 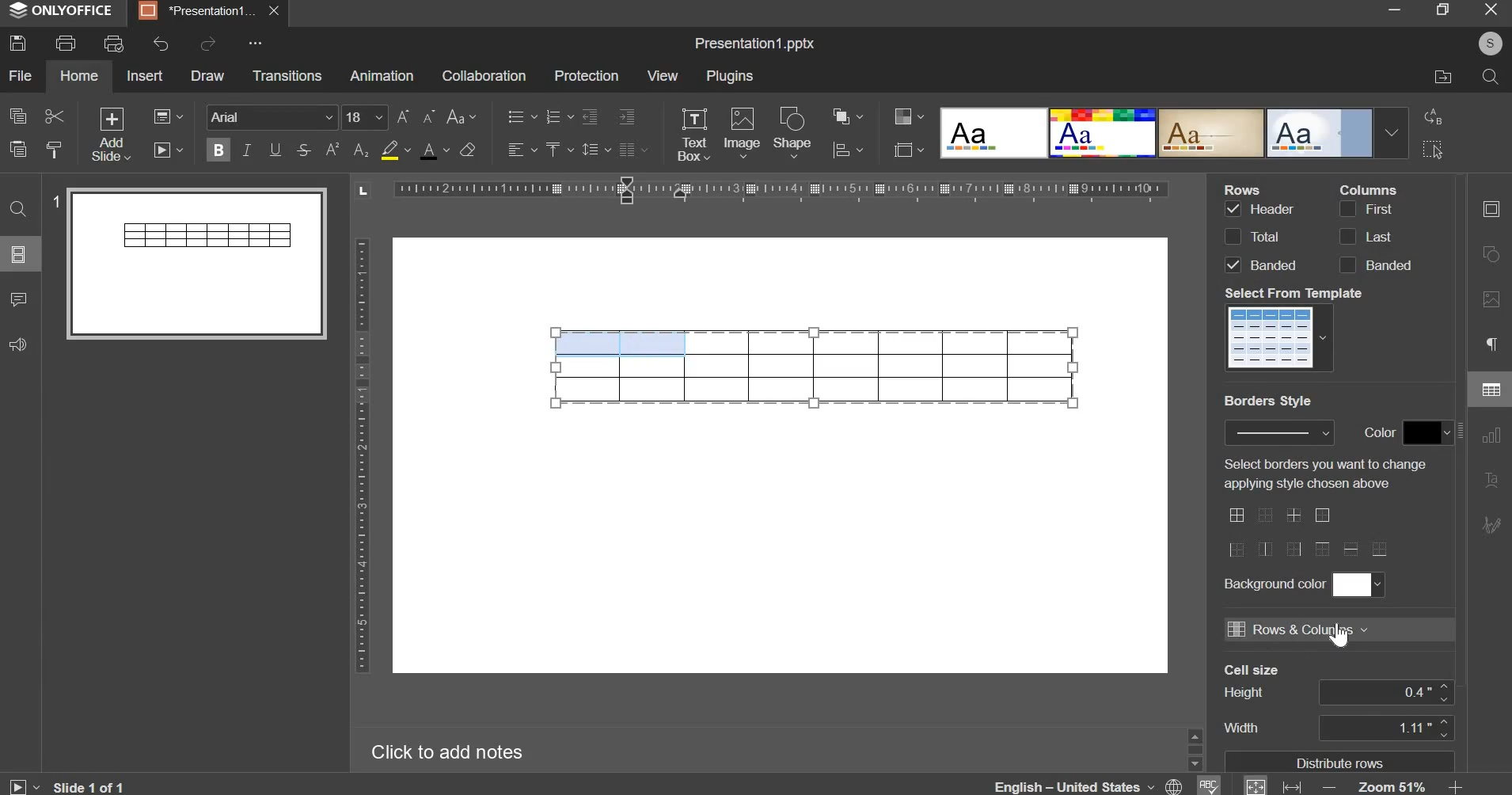 What do you see at coordinates (1282, 337) in the screenshot?
I see `template` at bounding box center [1282, 337].